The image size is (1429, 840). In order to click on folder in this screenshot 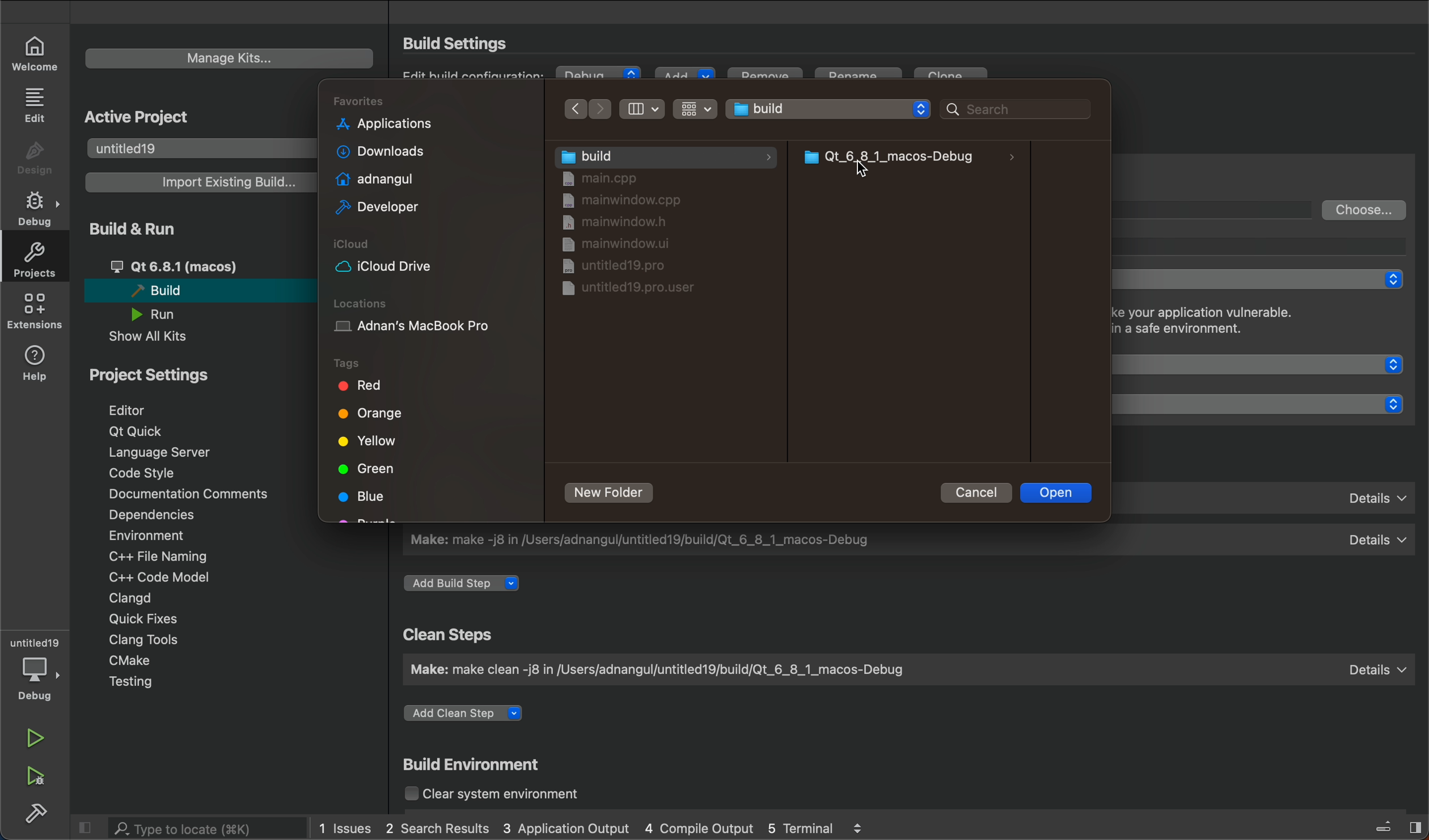, I will do `click(665, 156)`.